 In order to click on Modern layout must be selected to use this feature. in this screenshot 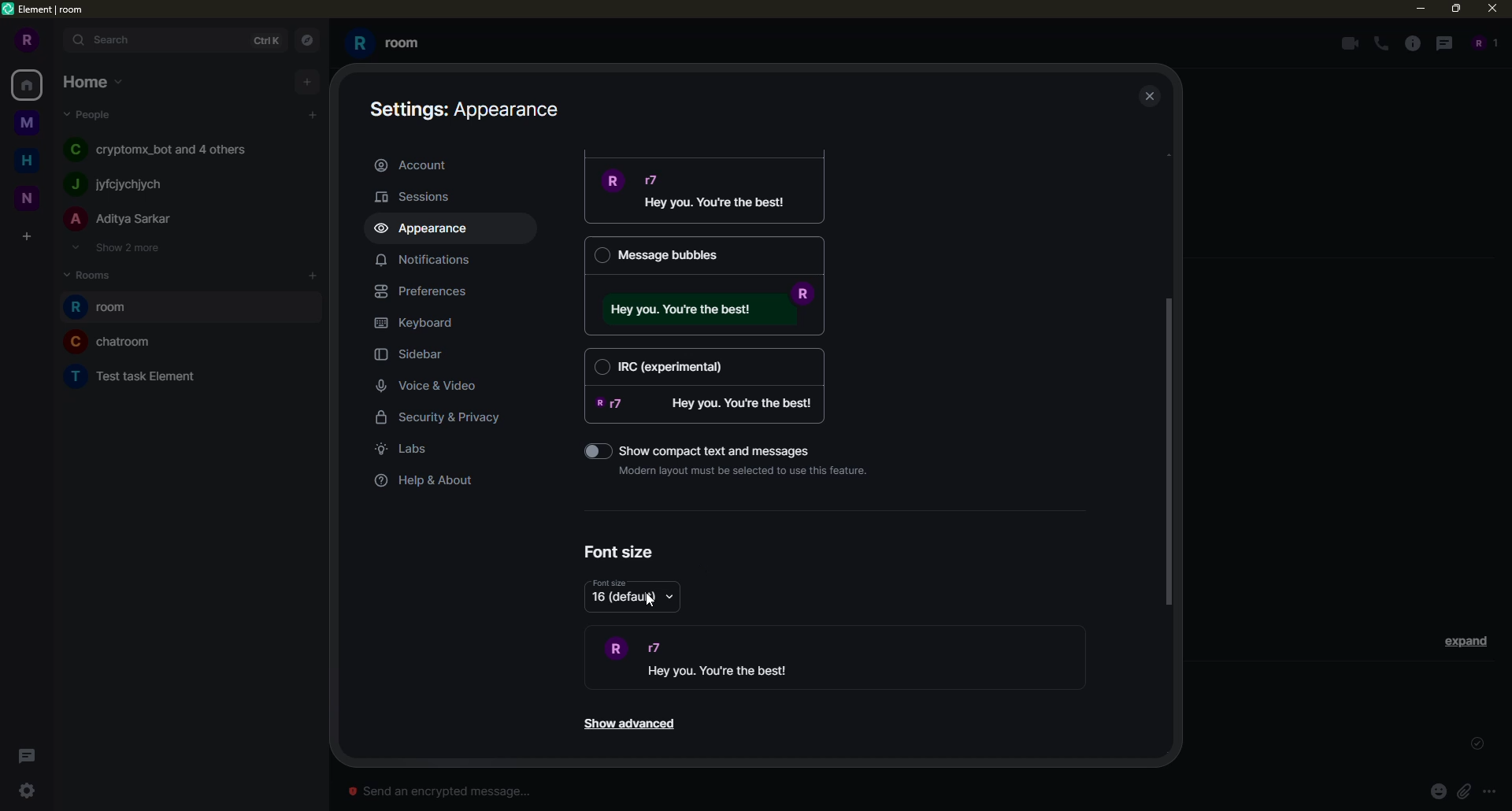, I will do `click(748, 470)`.